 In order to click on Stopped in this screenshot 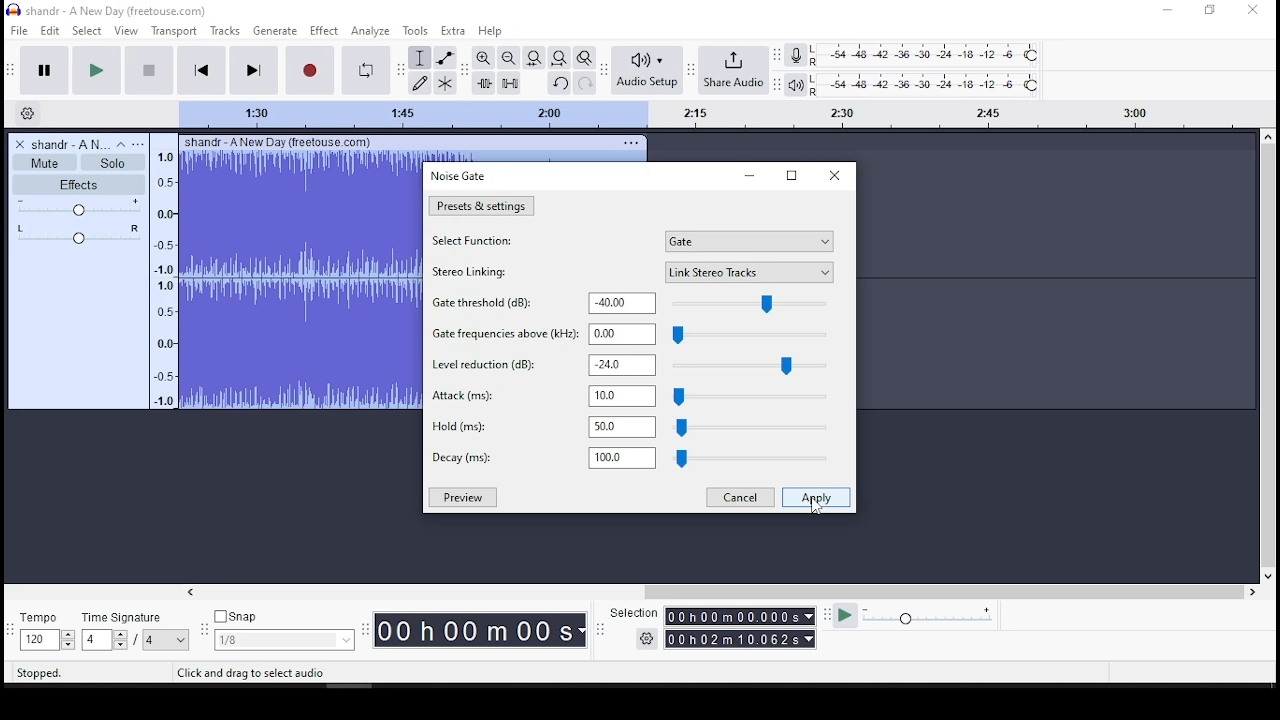, I will do `click(40, 674)`.